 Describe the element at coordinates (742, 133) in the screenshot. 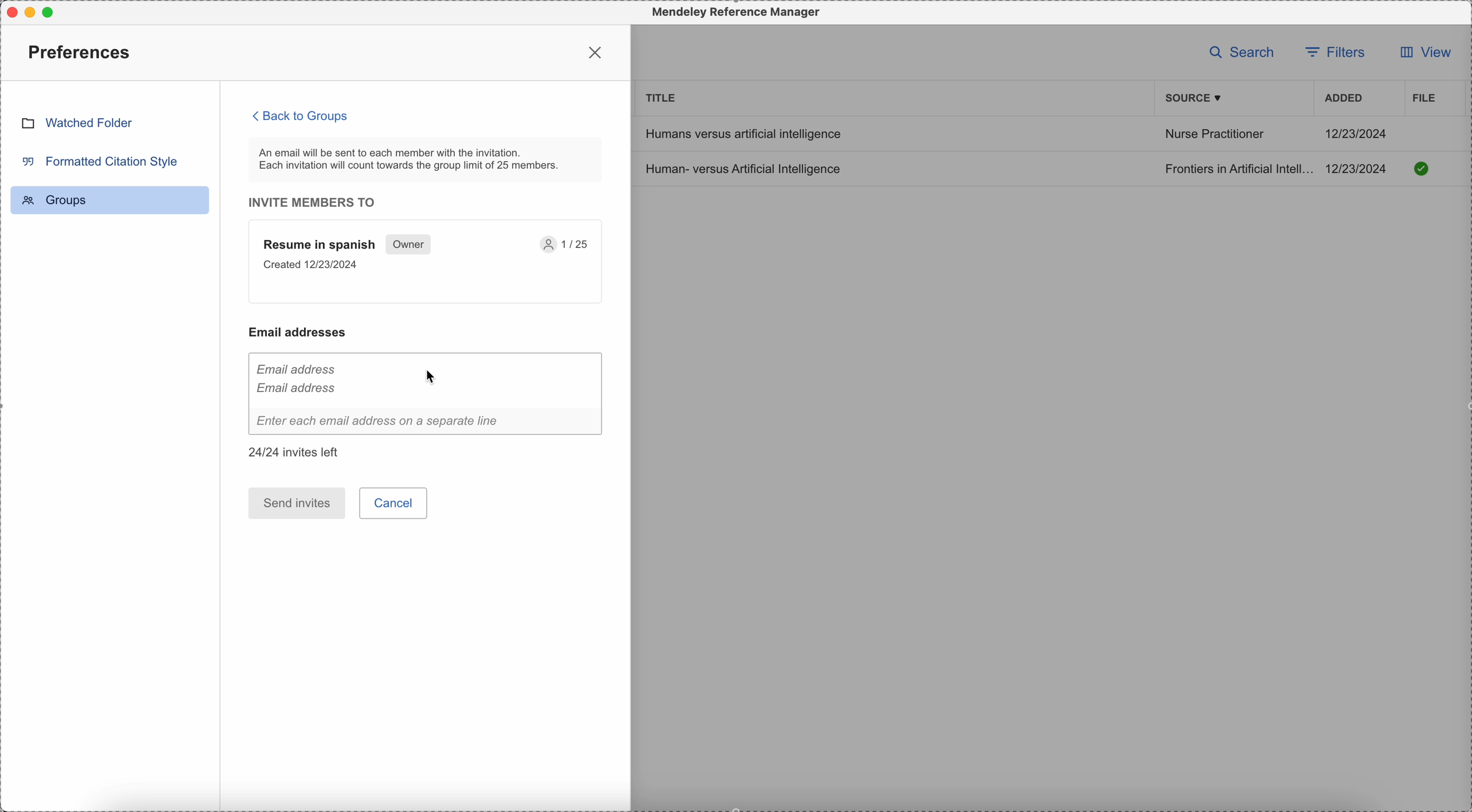

I see `Humans versus artificial intelligence` at that location.